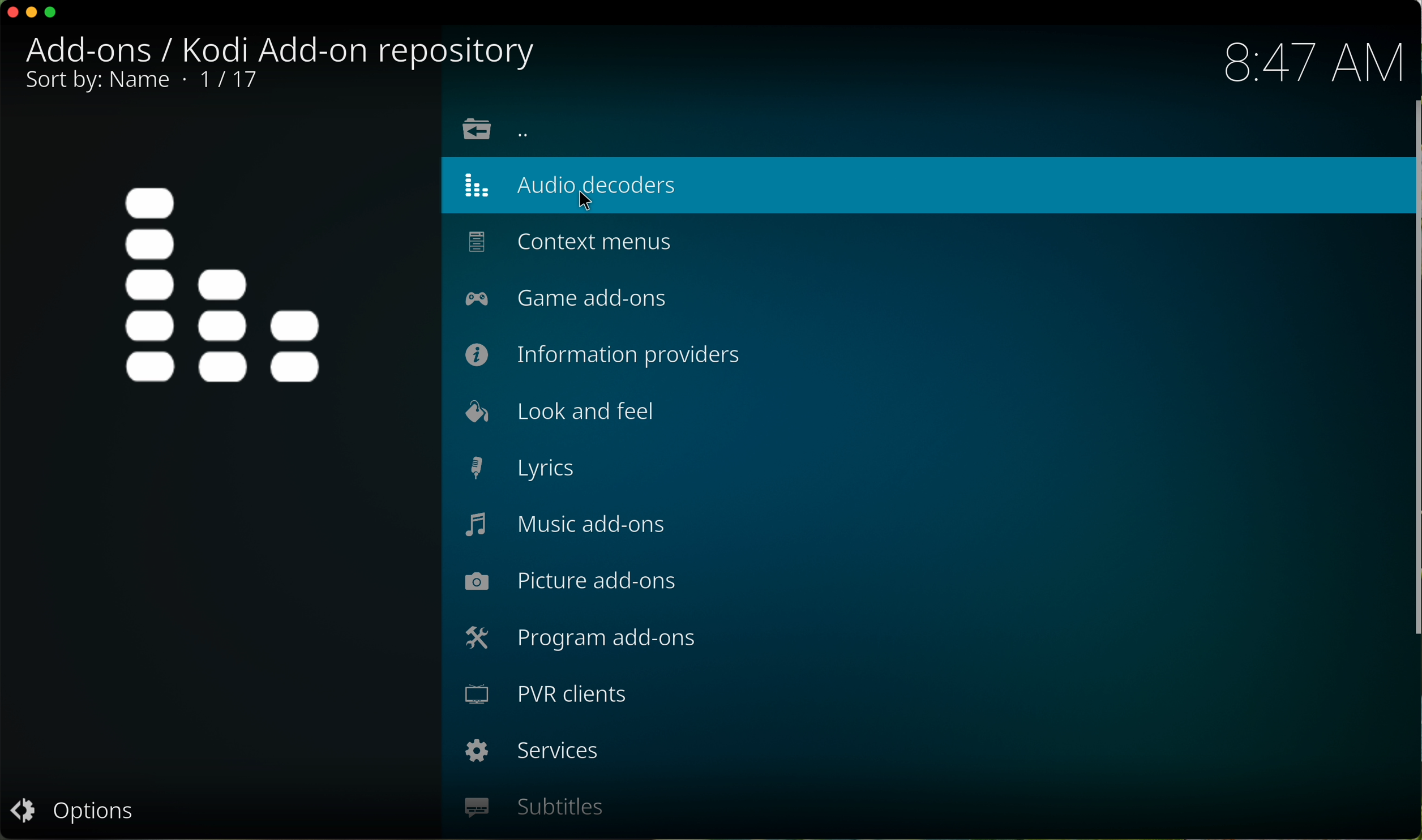 Image resolution: width=1422 pixels, height=840 pixels. What do you see at coordinates (226, 285) in the screenshot?
I see `icon audio decoders` at bounding box center [226, 285].